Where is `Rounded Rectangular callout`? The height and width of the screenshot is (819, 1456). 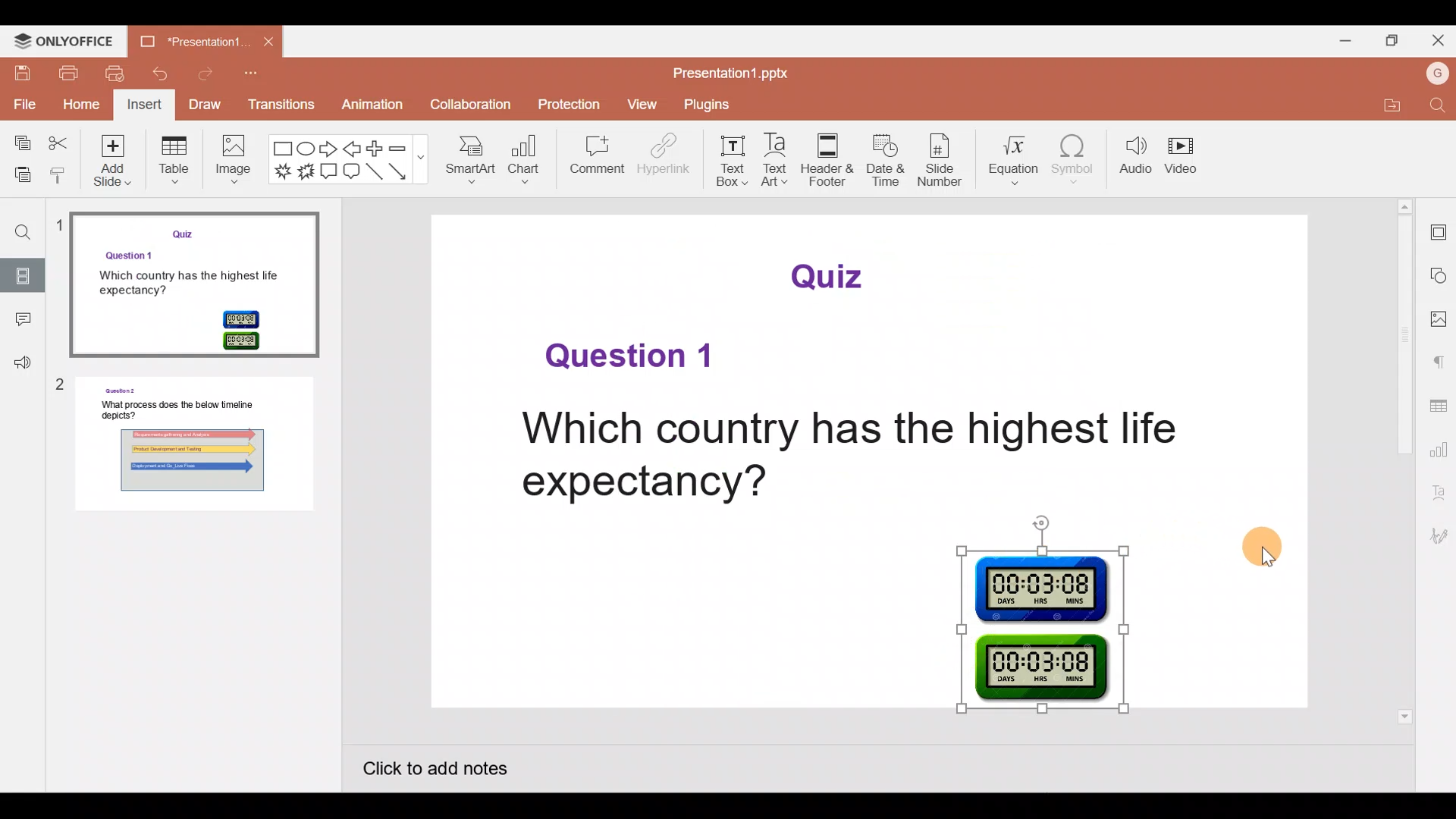 Rounded Rectangular callout is located at coordinates (355, 173).